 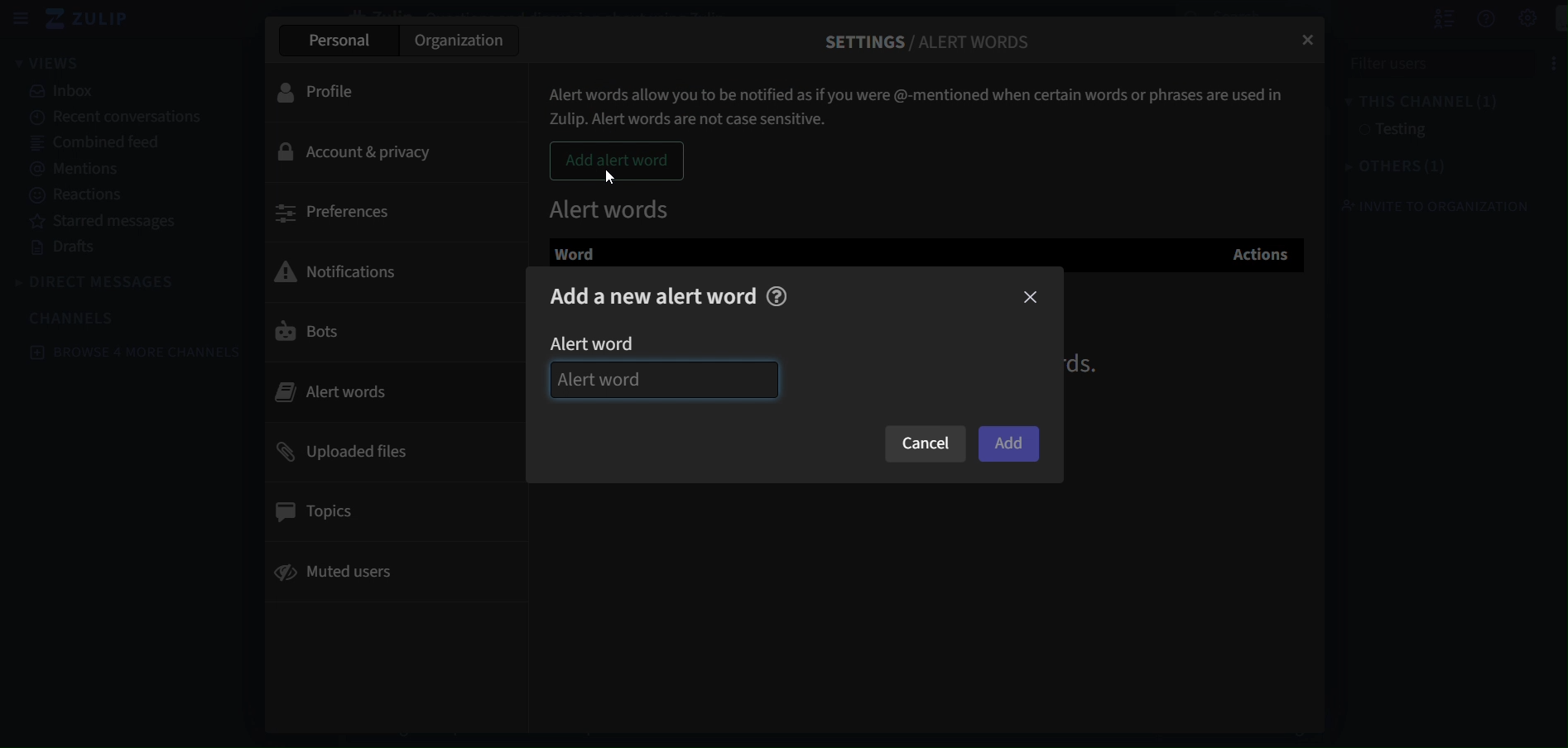 What do you see at coordinates (780, 296) in the screenshot?
I see `help icon` at bounding box center [780, 296].